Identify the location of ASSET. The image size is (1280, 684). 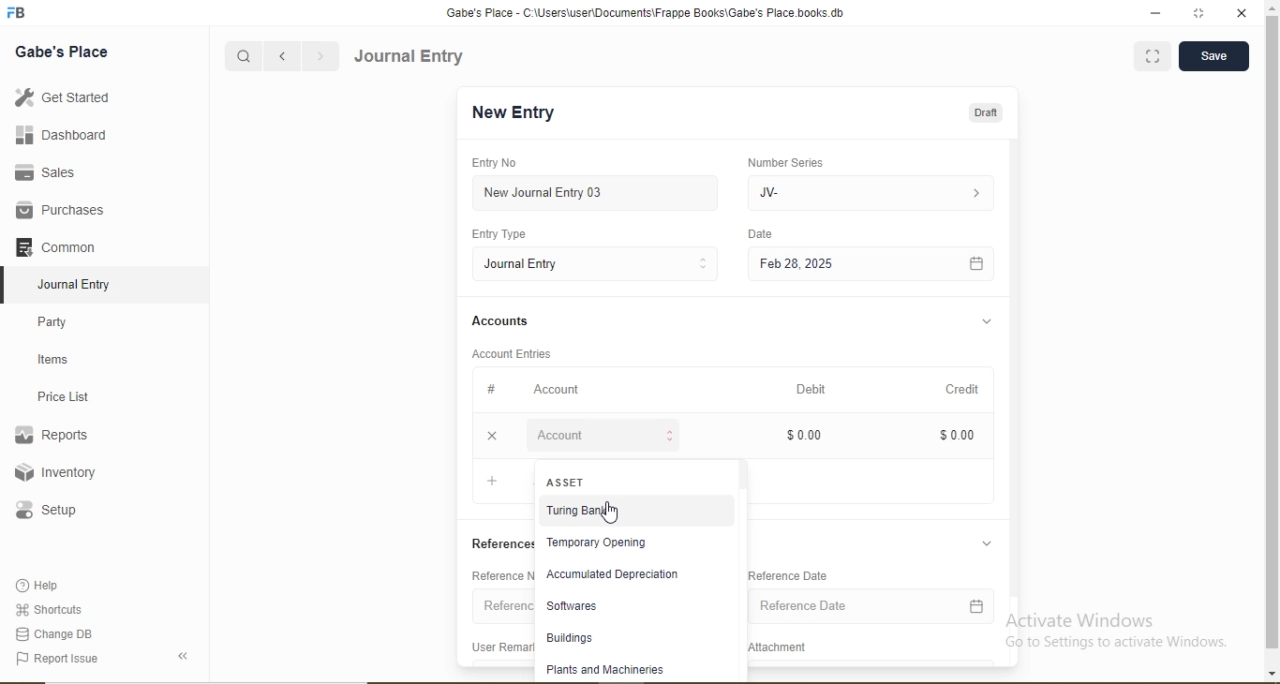
(568, 481).